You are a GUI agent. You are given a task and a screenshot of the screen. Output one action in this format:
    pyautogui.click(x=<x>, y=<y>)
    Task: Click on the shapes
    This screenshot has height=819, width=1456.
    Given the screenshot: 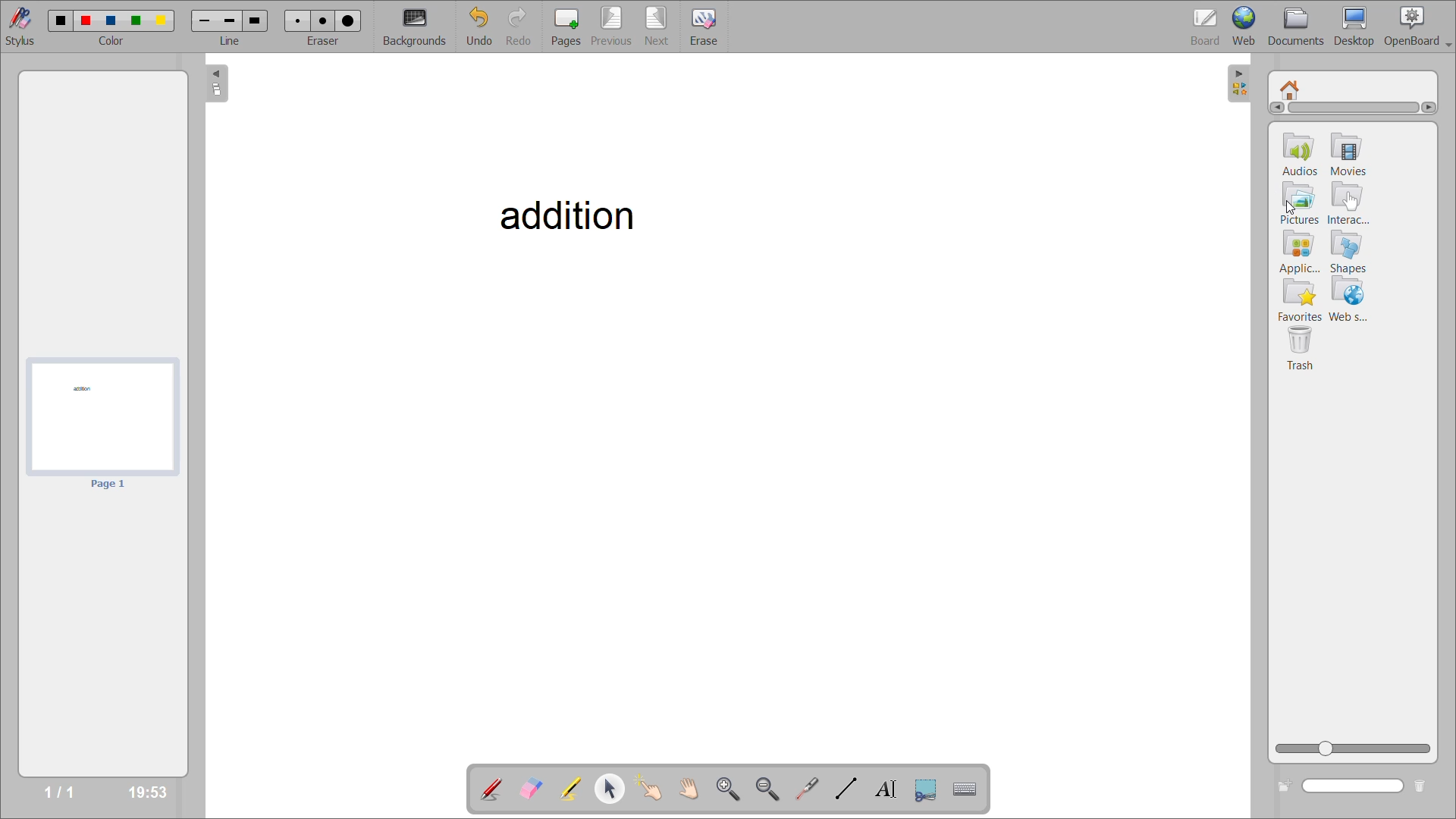 What is the action you would take?
    pyautogui.click(x=1351, y=252)
    